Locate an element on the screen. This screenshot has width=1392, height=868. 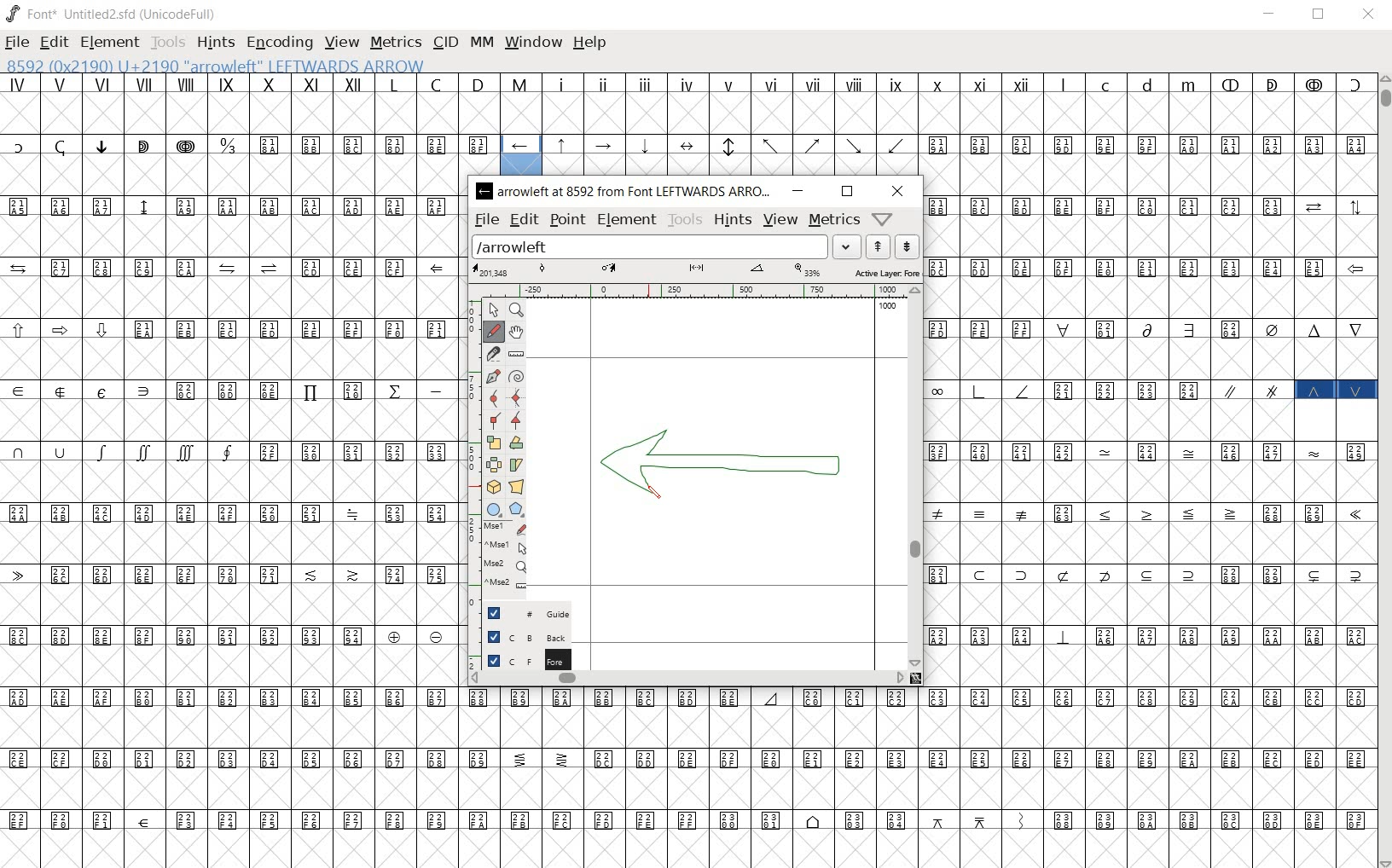
Add a corner point is located at coordinates (517, 420).